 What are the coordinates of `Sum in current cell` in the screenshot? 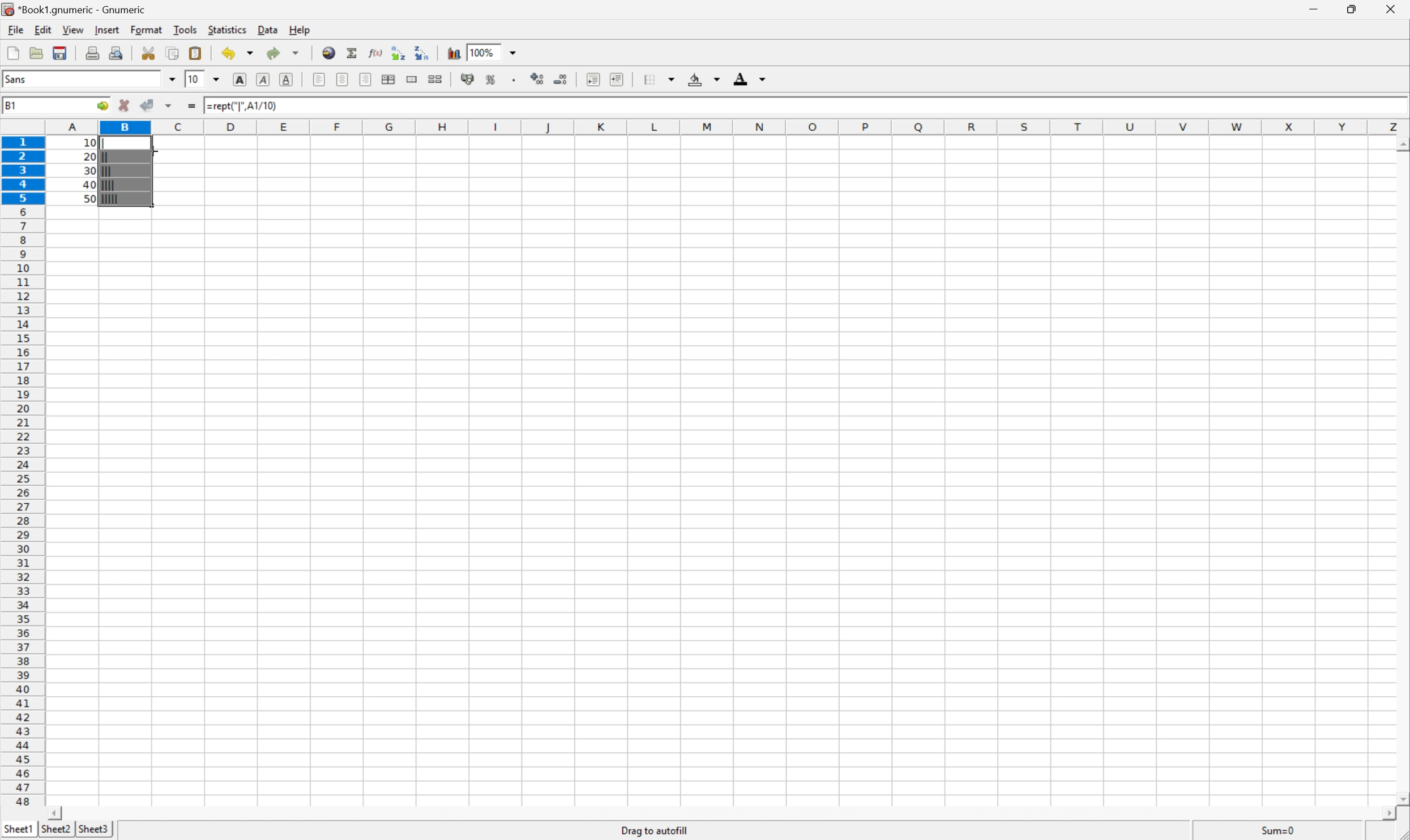 It's located at (353, 52).